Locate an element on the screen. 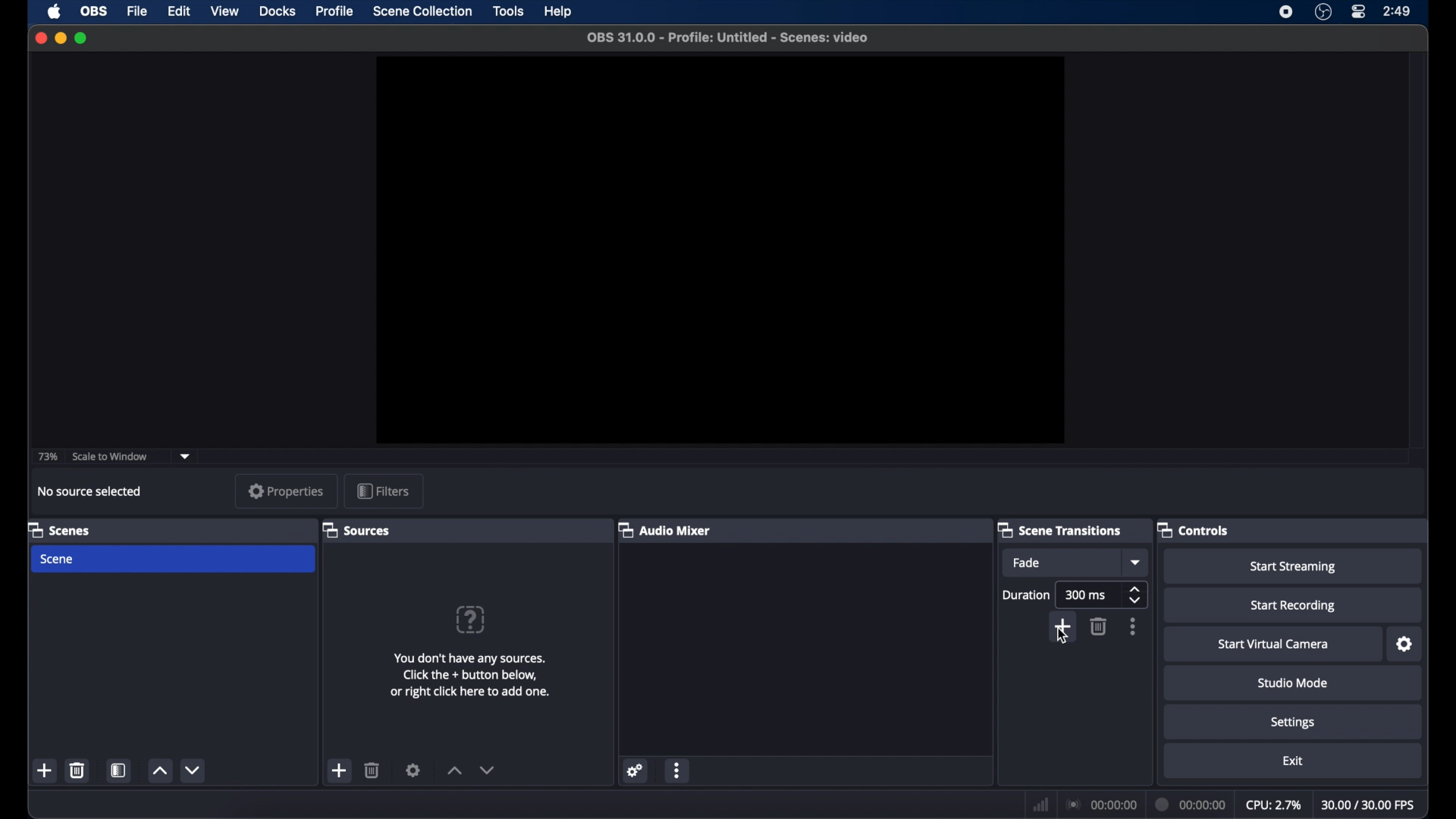  studio mode is located at coordinates (1293, 682).